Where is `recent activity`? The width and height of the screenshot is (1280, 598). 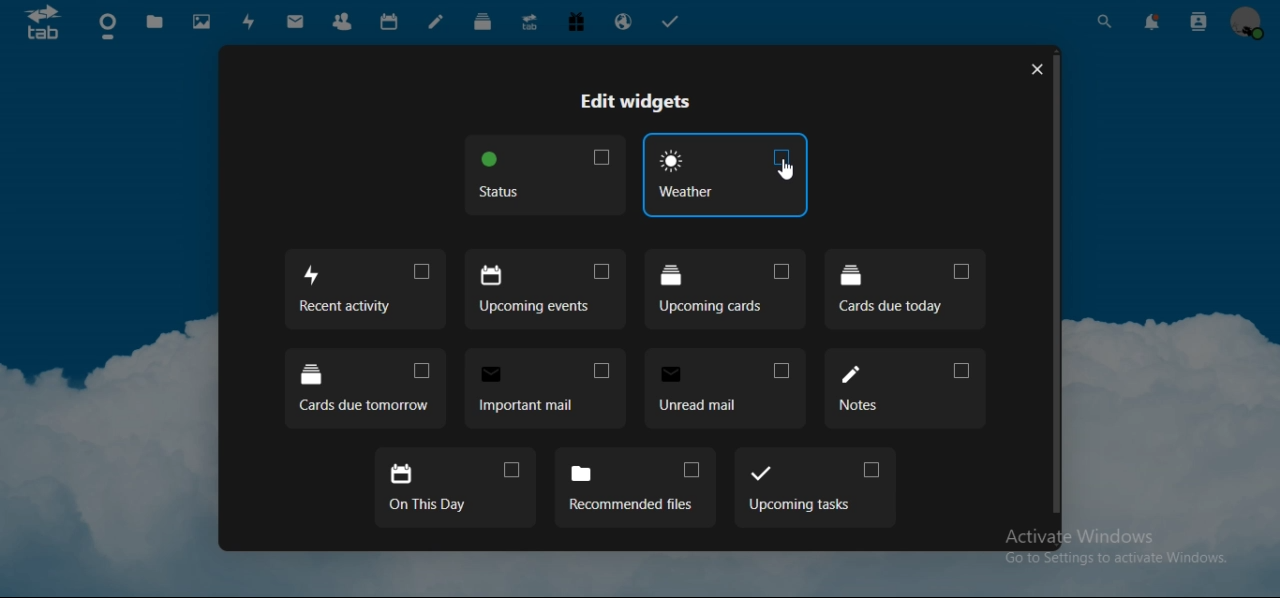 recent activity is located at coordinates (366, 289).